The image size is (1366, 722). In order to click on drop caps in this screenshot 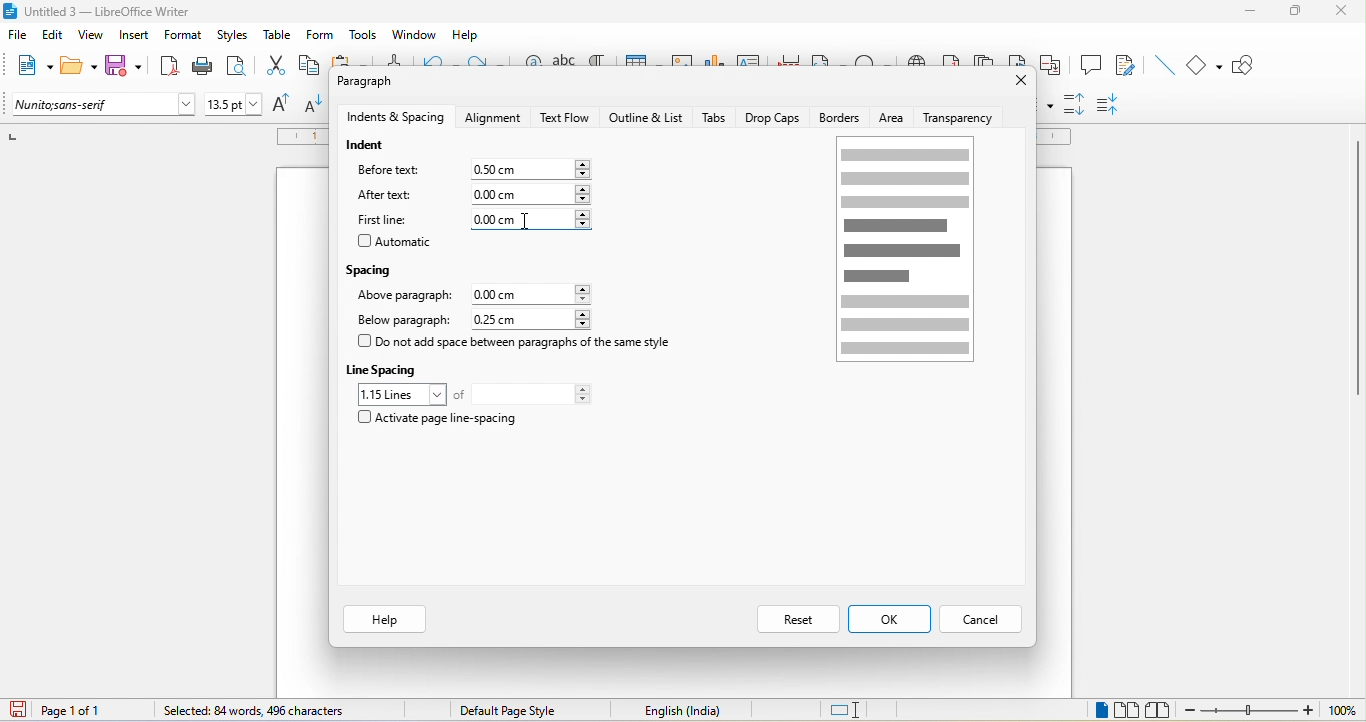, I will do `click(771, 117)`.